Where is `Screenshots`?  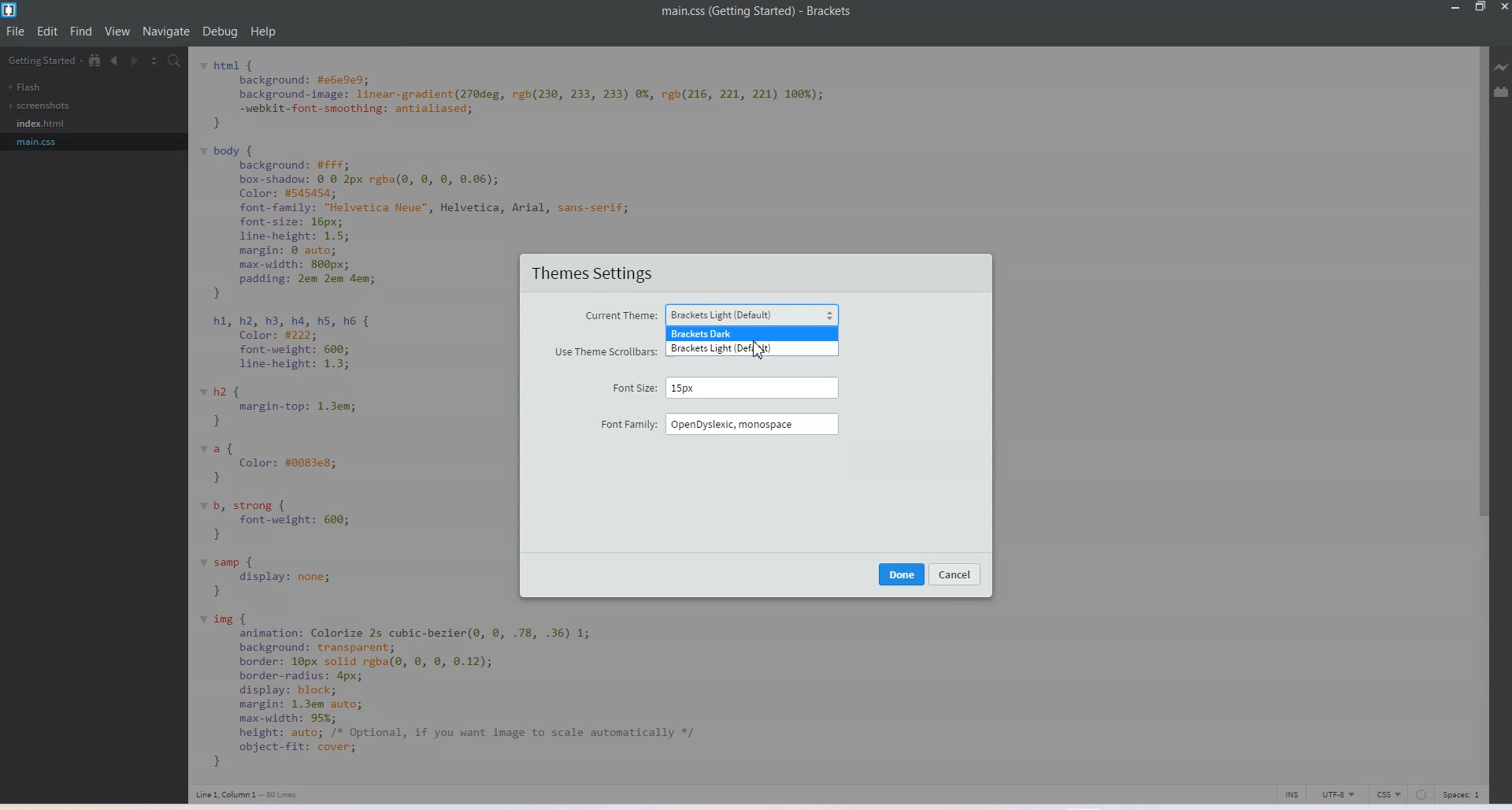
Screenshots is located at coordinates (40, 106).